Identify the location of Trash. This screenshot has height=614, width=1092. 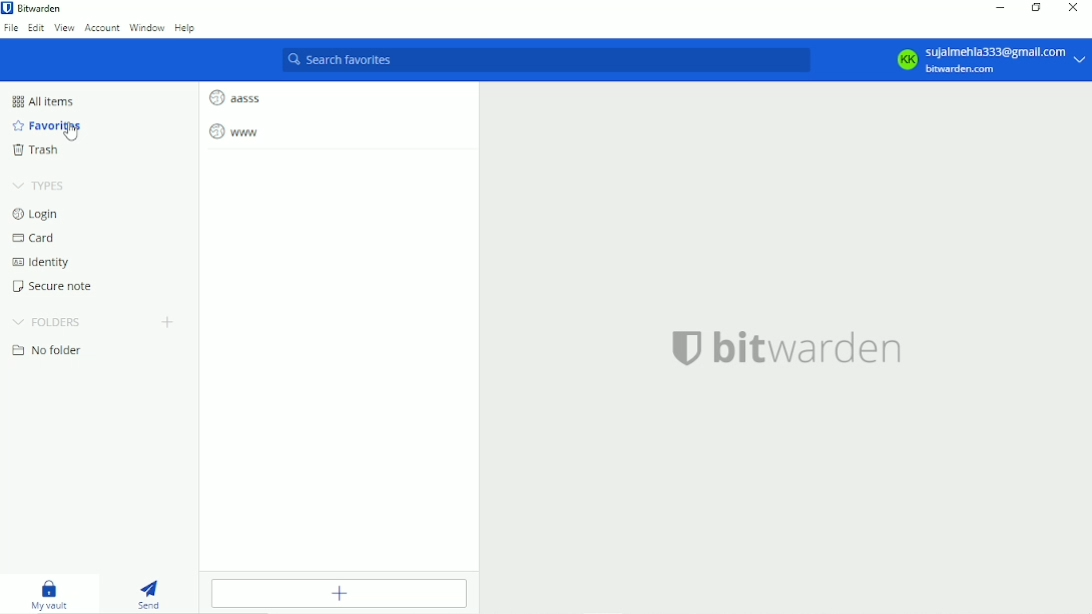
(37, 151).